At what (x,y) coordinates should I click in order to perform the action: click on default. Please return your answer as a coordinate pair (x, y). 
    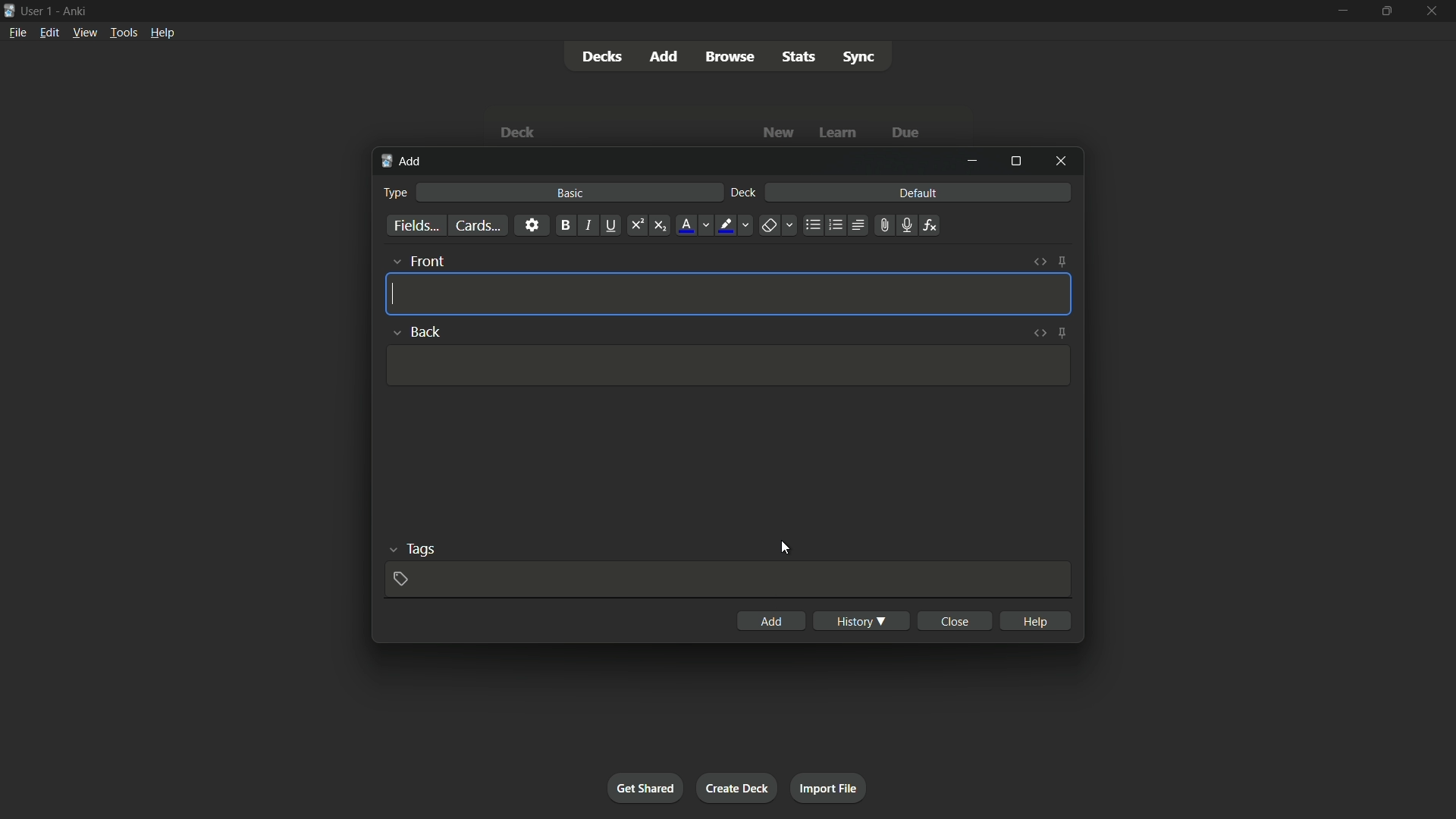
    Looking at the image, I should click on (918, 192).